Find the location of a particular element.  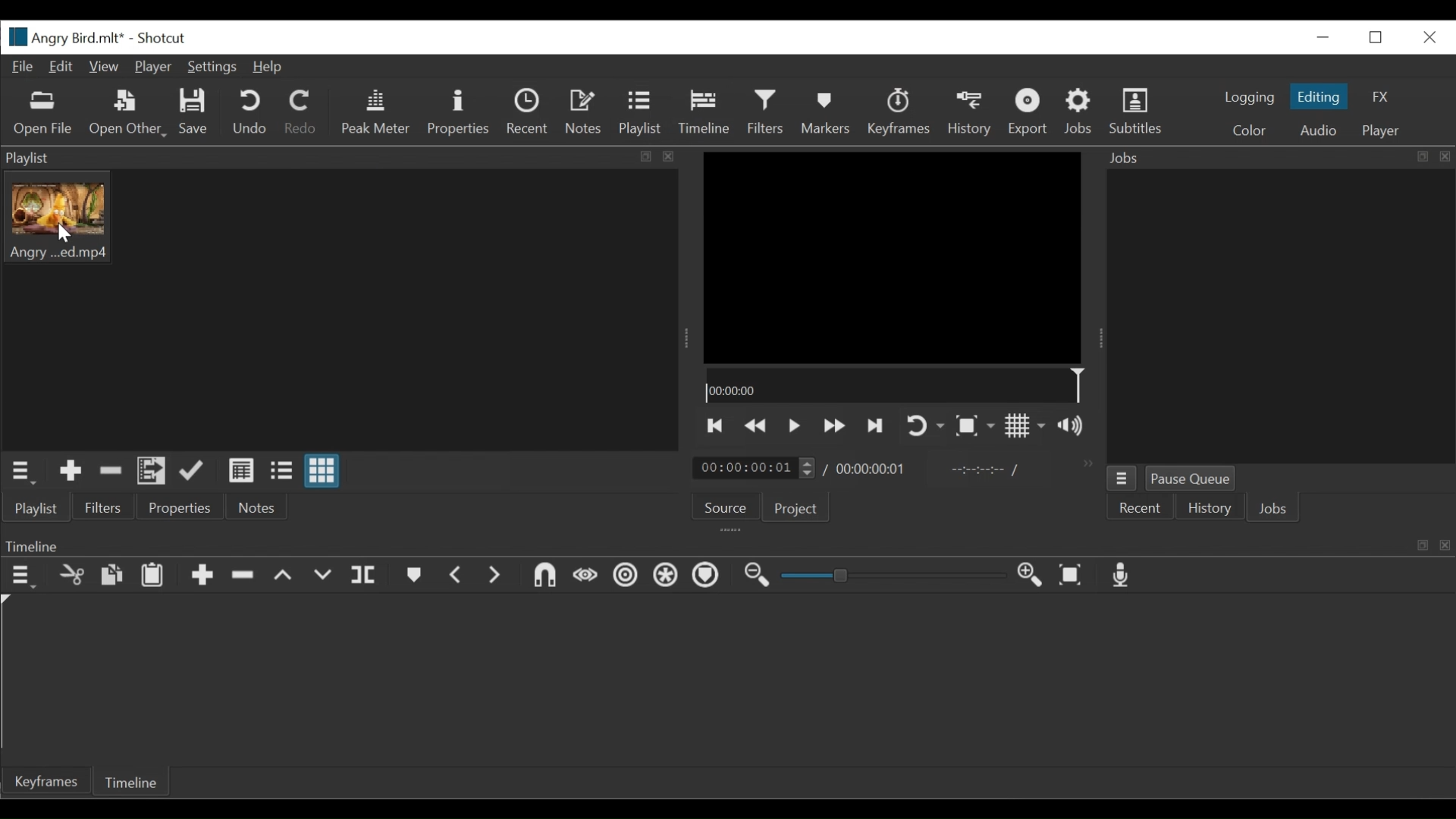

Total duration is located at coordinates (871, 469).